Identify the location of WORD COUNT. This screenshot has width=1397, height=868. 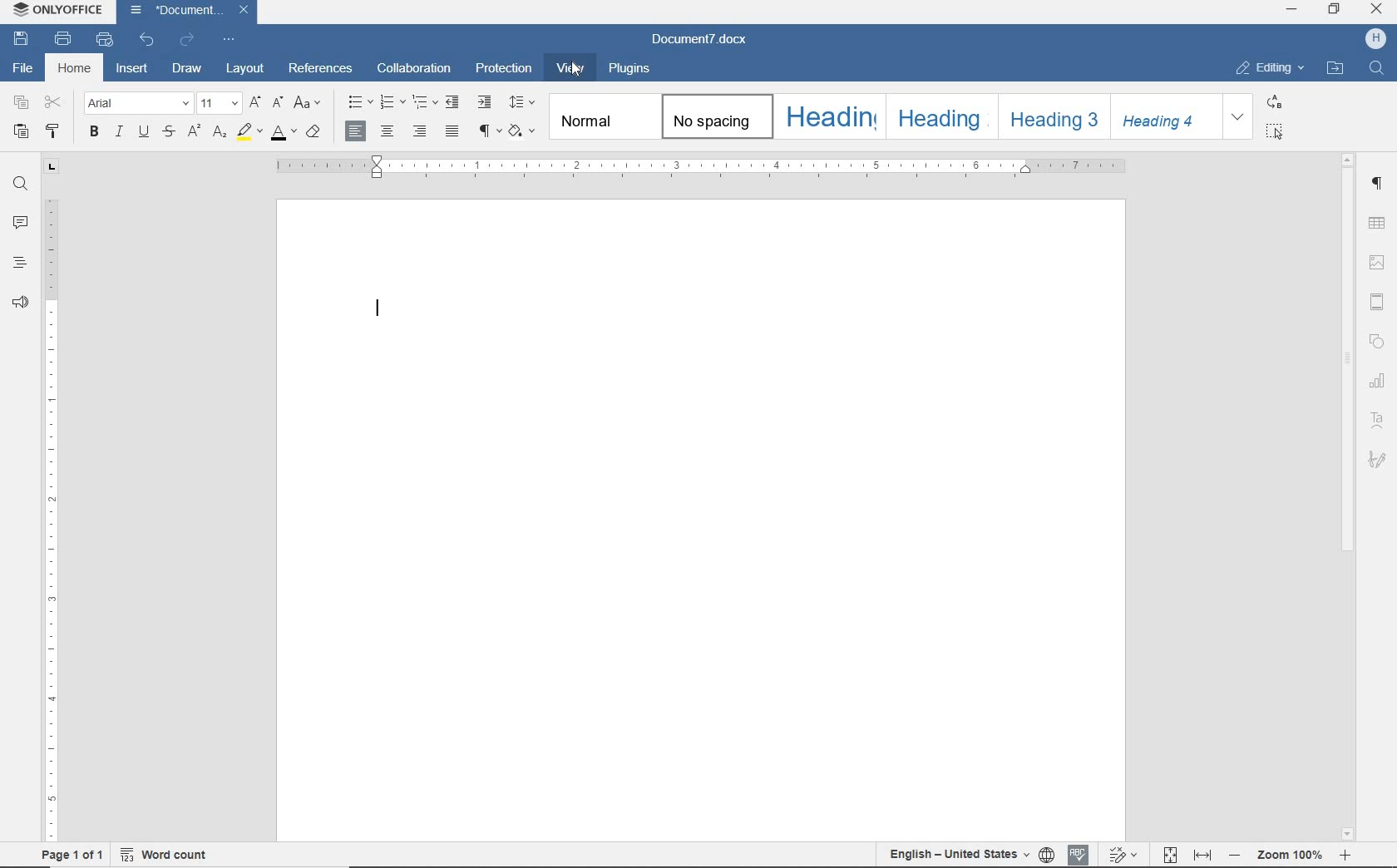
(166, 852).